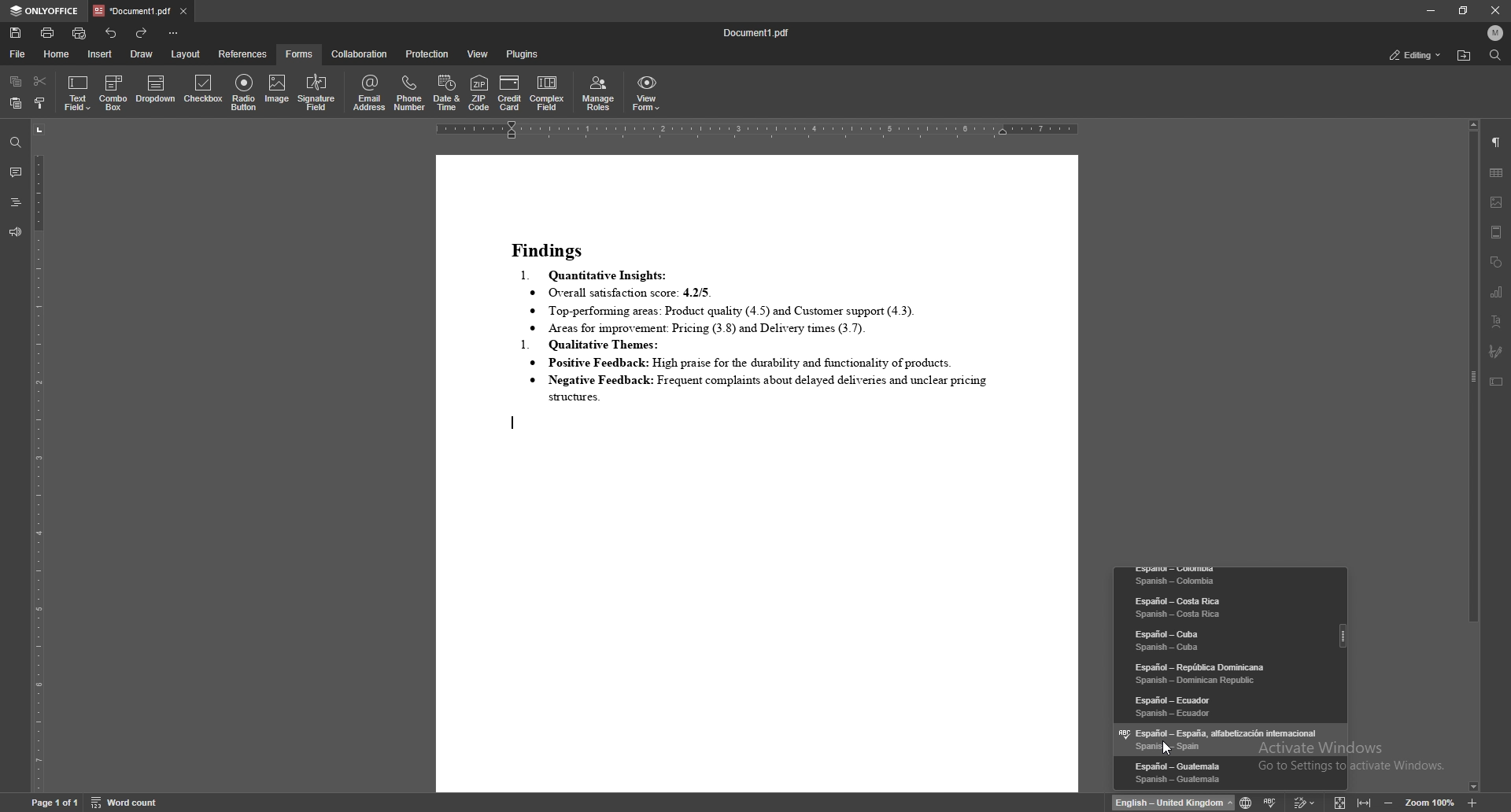 The image size is (1511, 812). I want to click on phone number, so click(412, 92).